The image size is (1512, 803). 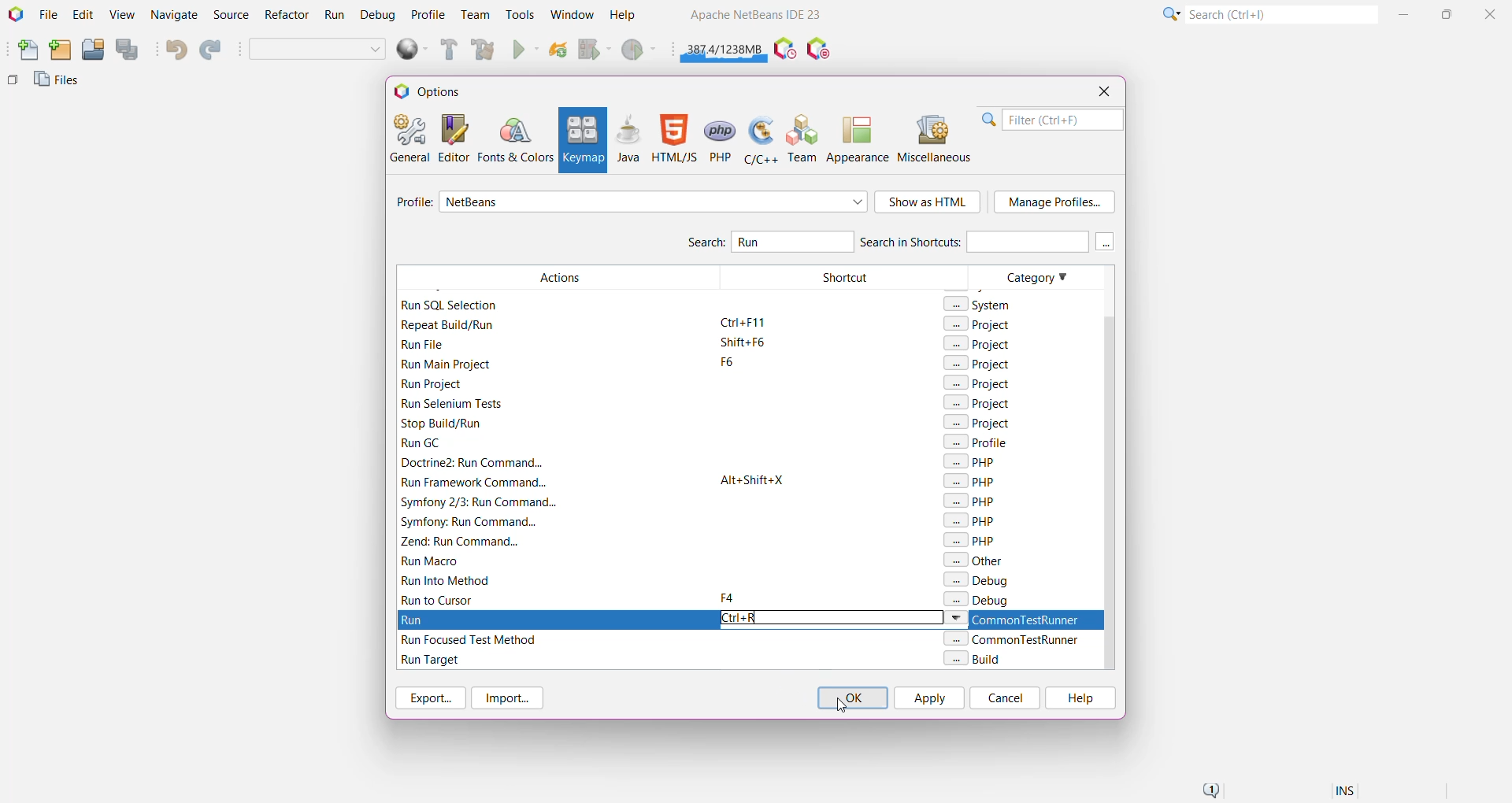 I want to click on Show as HTML, so click(x=928, y=203).